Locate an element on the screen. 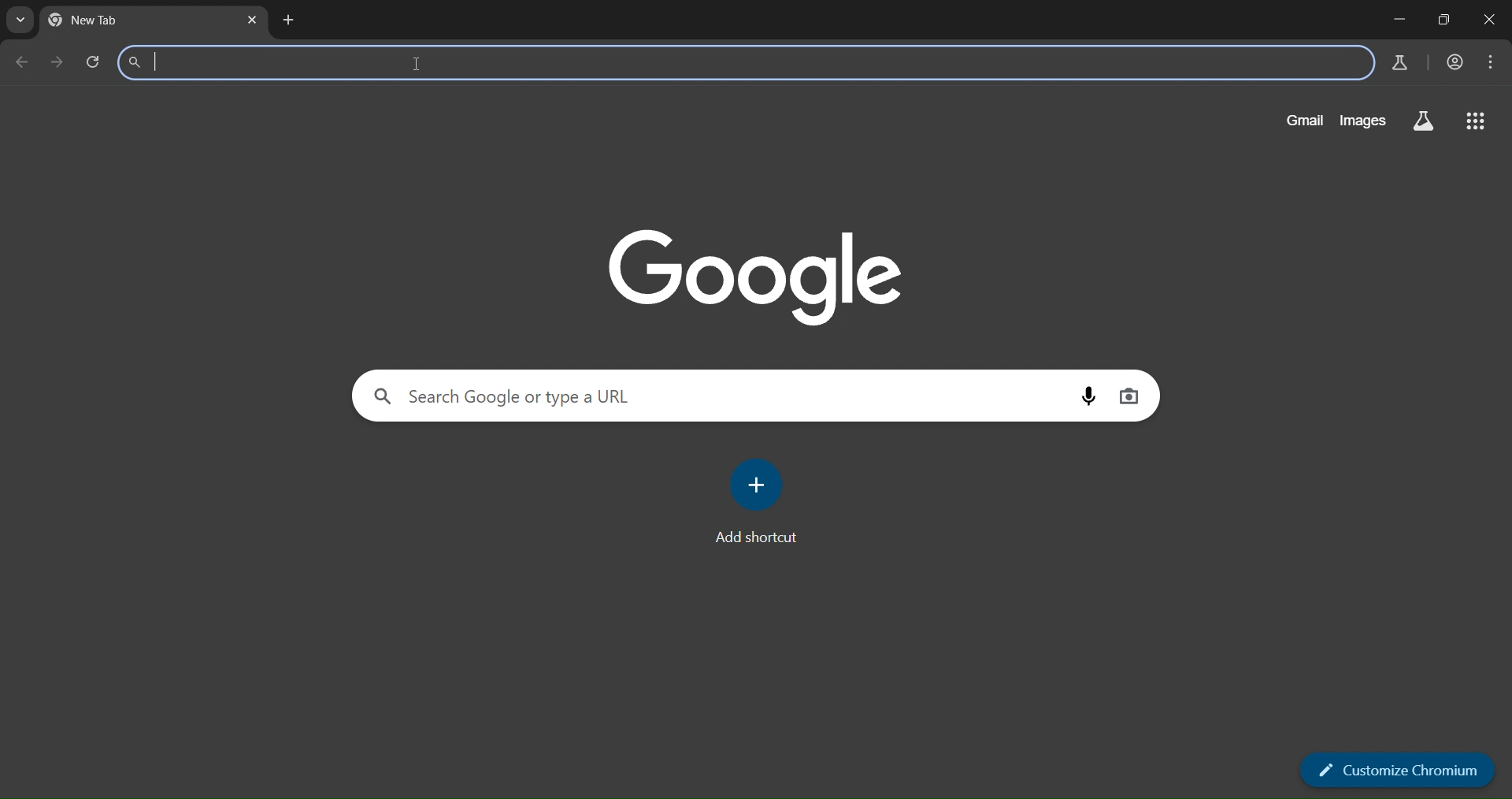  go forward one page is located at coordinates (61, 62).